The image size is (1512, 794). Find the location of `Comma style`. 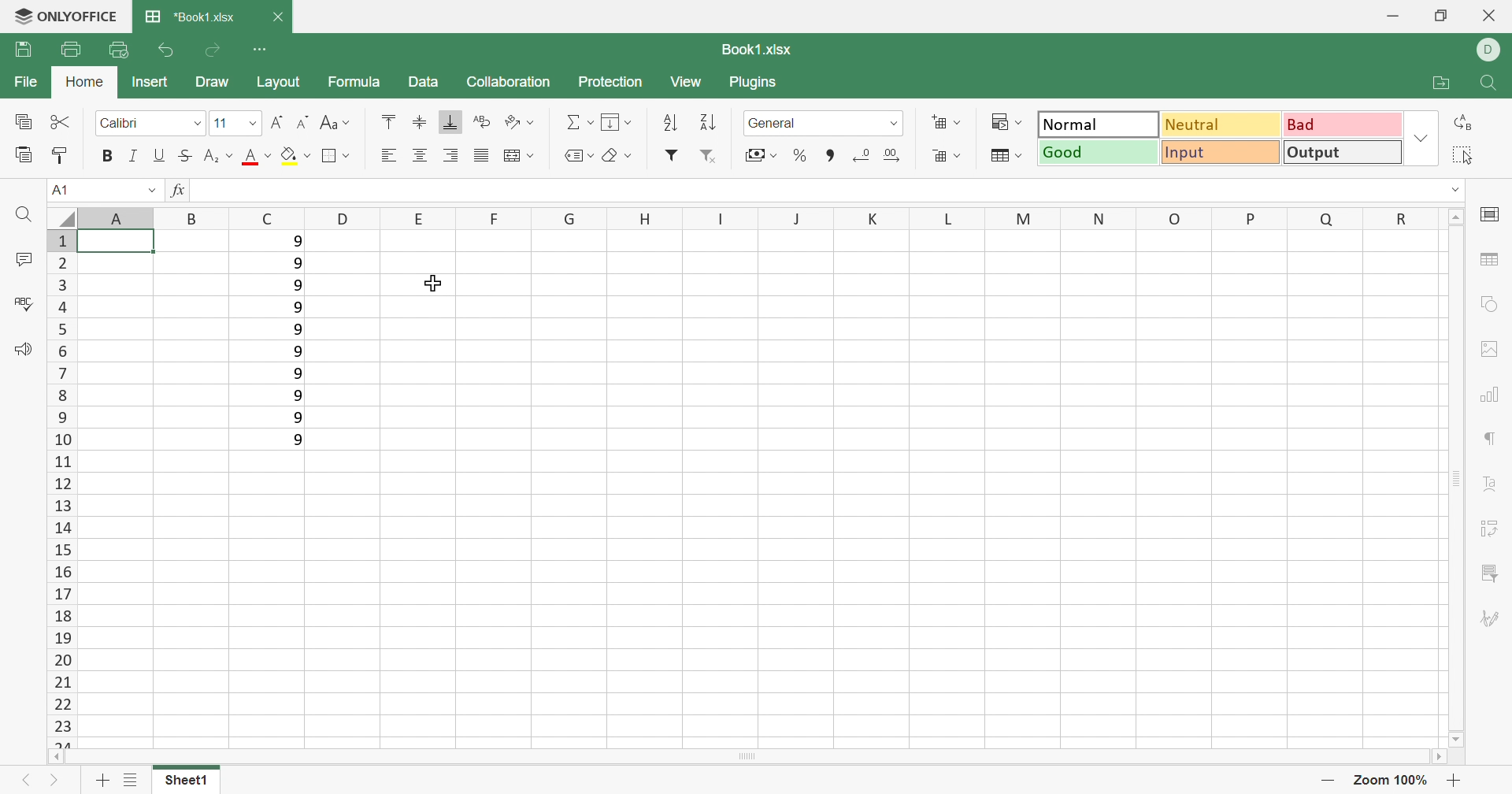

Comma style is located at coordinates (828, 154).